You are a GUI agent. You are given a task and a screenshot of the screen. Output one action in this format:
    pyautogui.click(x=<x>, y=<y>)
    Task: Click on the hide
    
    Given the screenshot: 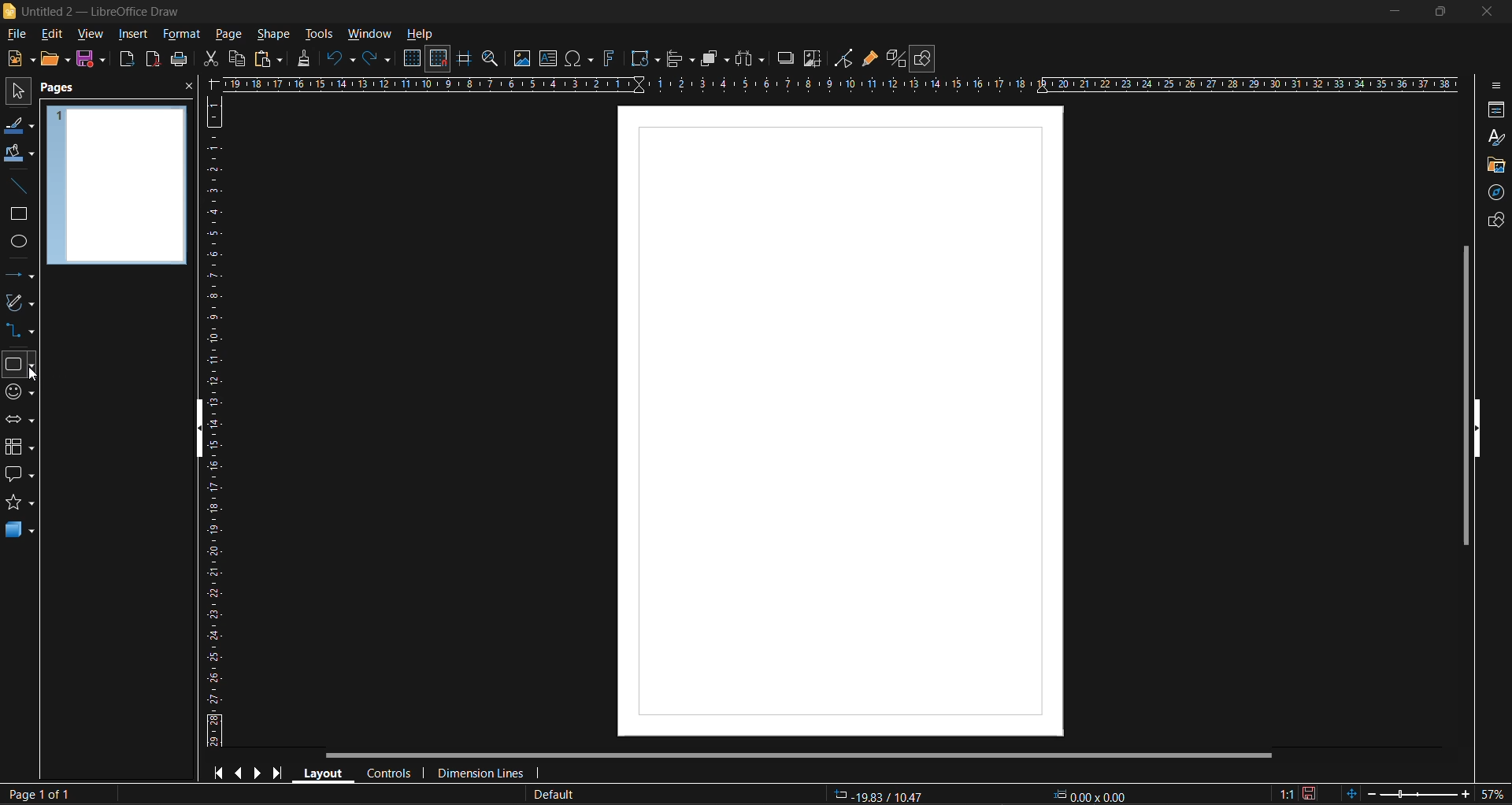 What is the action you would take?
    pyautogui.click(x=202, y=432)
    